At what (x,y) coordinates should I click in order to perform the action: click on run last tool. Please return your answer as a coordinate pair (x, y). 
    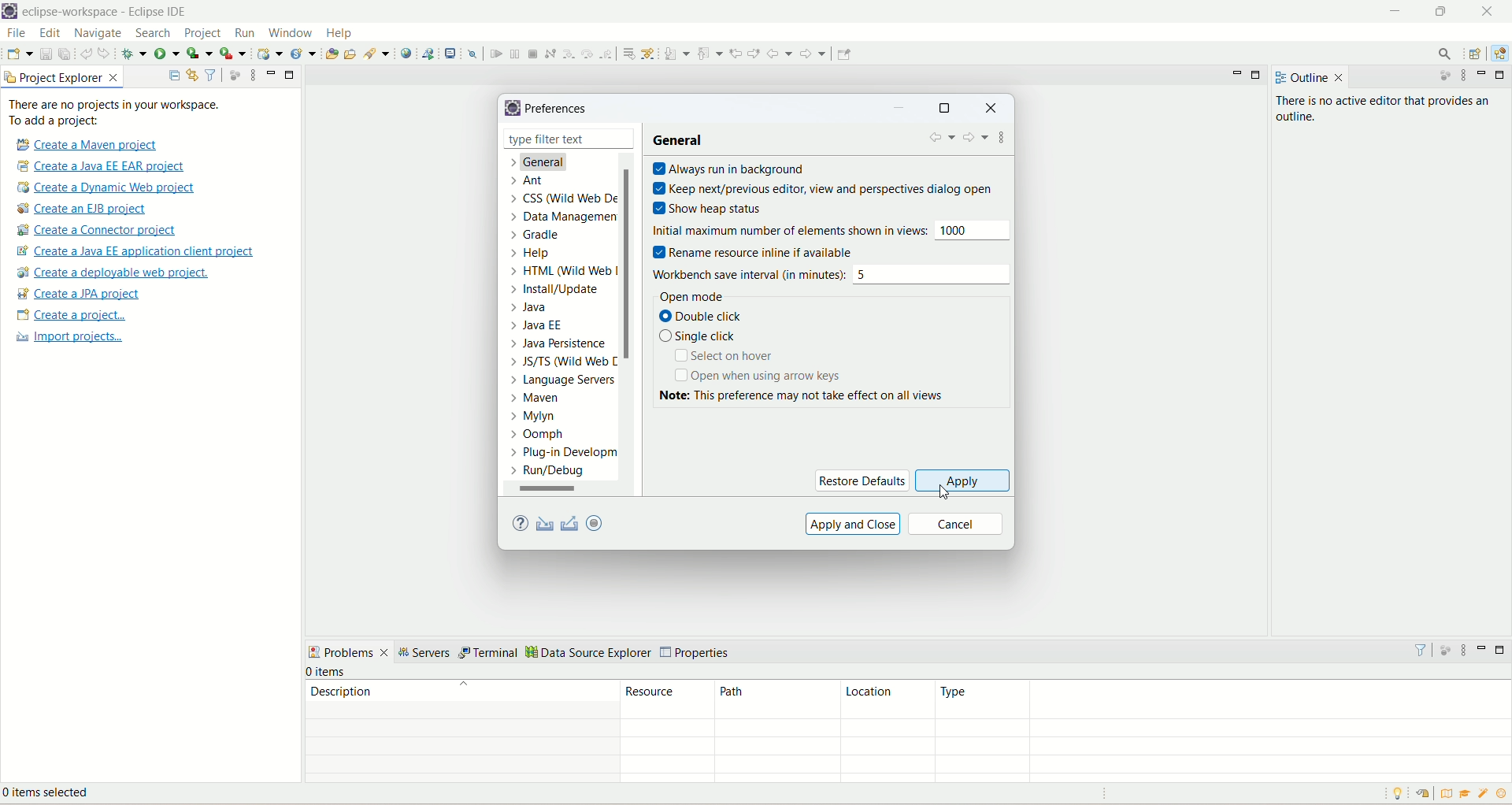
    Looking at the image, I should click on (232, 54).